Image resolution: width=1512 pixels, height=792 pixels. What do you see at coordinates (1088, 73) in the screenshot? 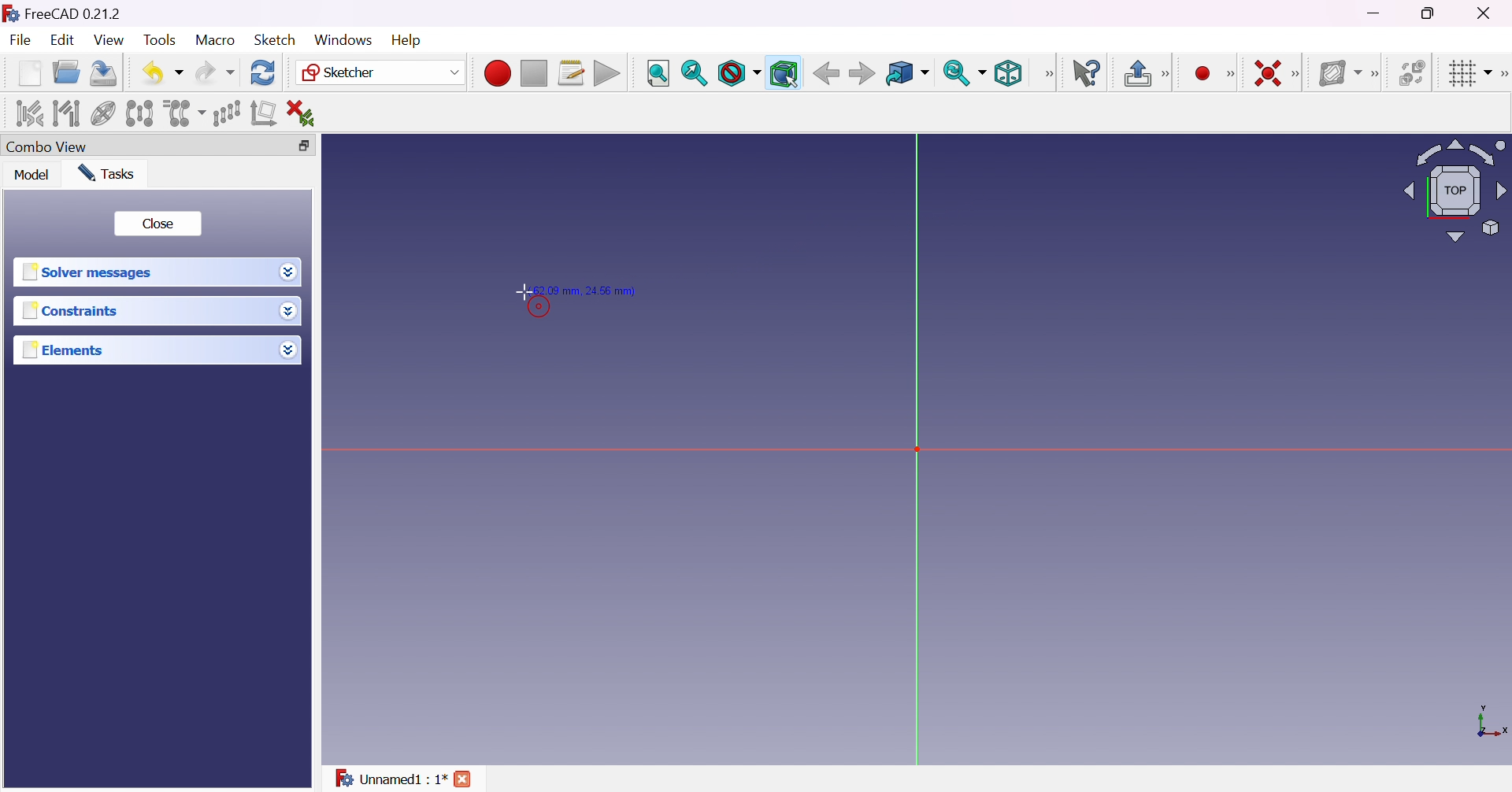
I see `What's this?` at bounding box center [1088, 73].